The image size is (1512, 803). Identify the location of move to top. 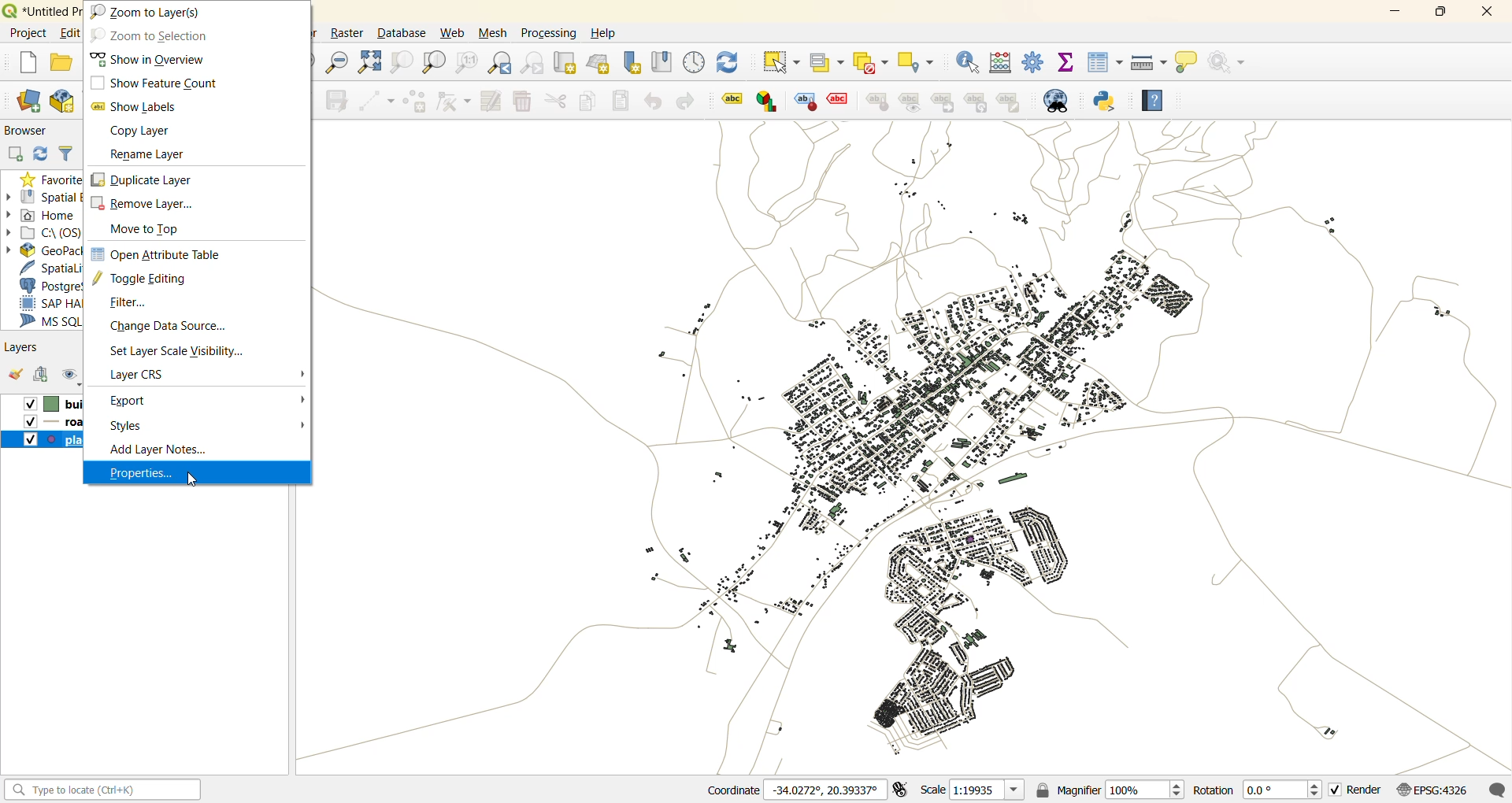
(152, 231).